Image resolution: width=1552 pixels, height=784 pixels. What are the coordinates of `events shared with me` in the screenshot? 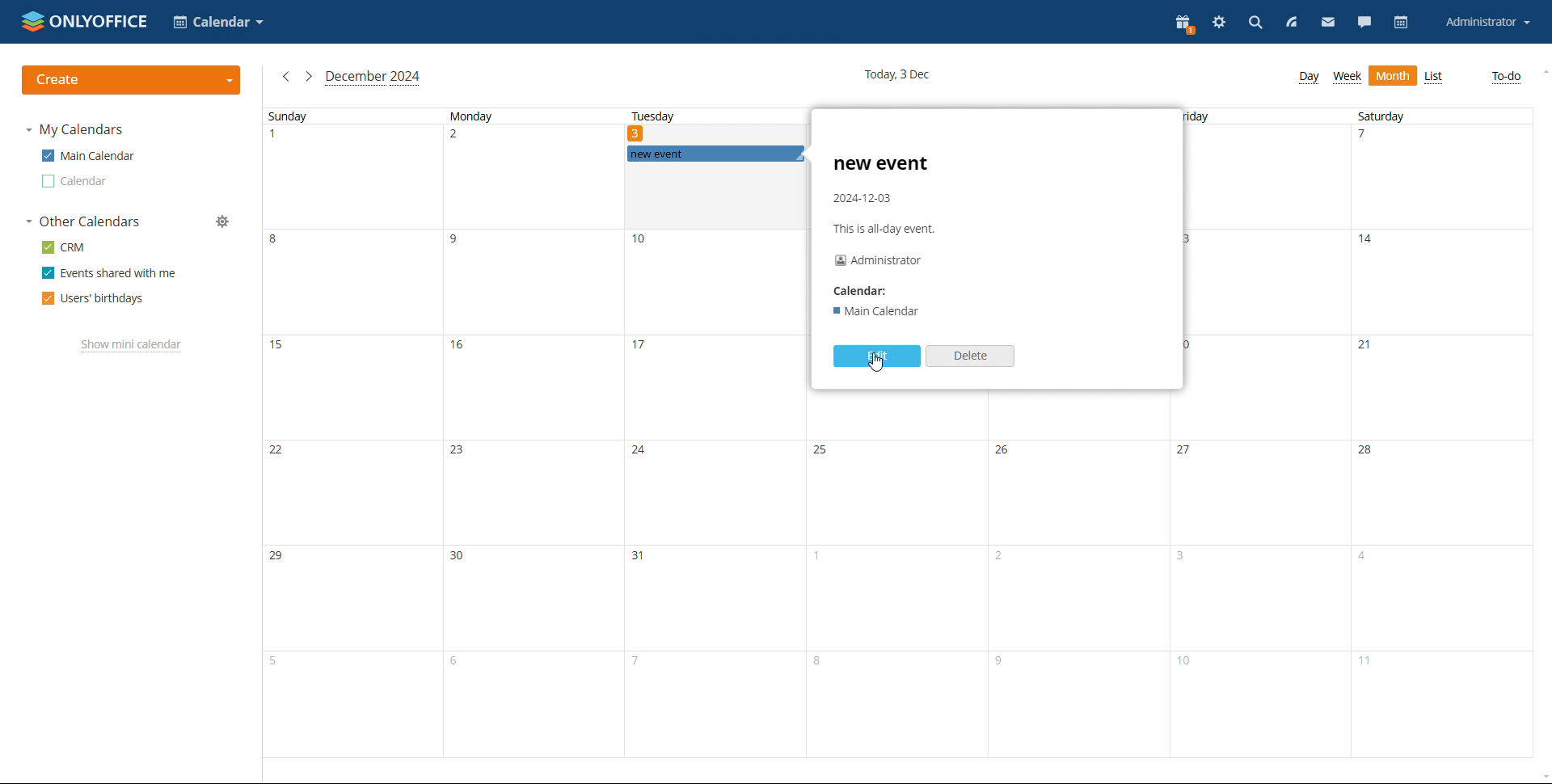 It's located at (108, 272).